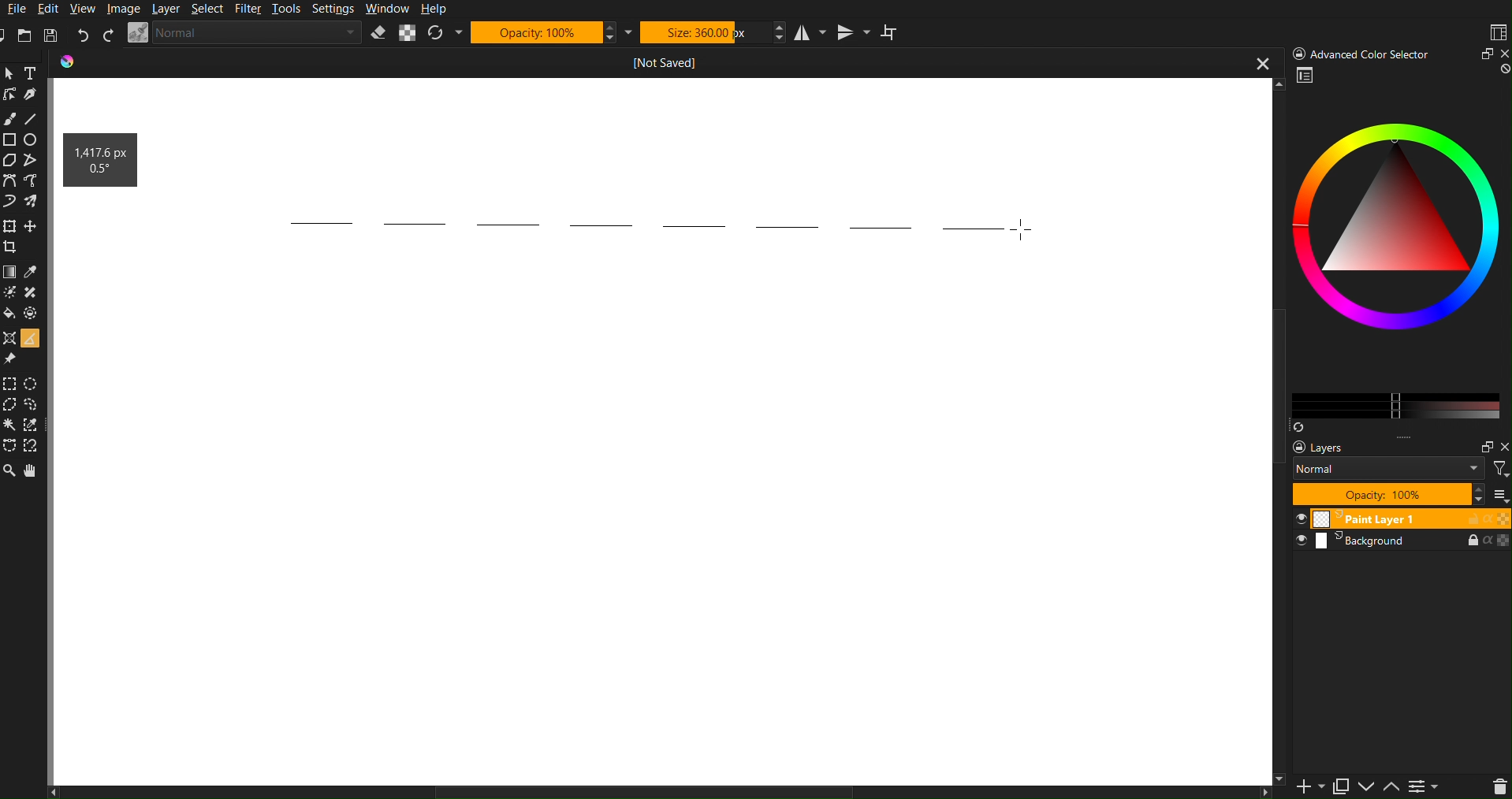 The width and height of the screenshot is (1512, 799). Describe the element at coordinates (9, 95) in the screenshot. I see `Lineart Tool` at that location.